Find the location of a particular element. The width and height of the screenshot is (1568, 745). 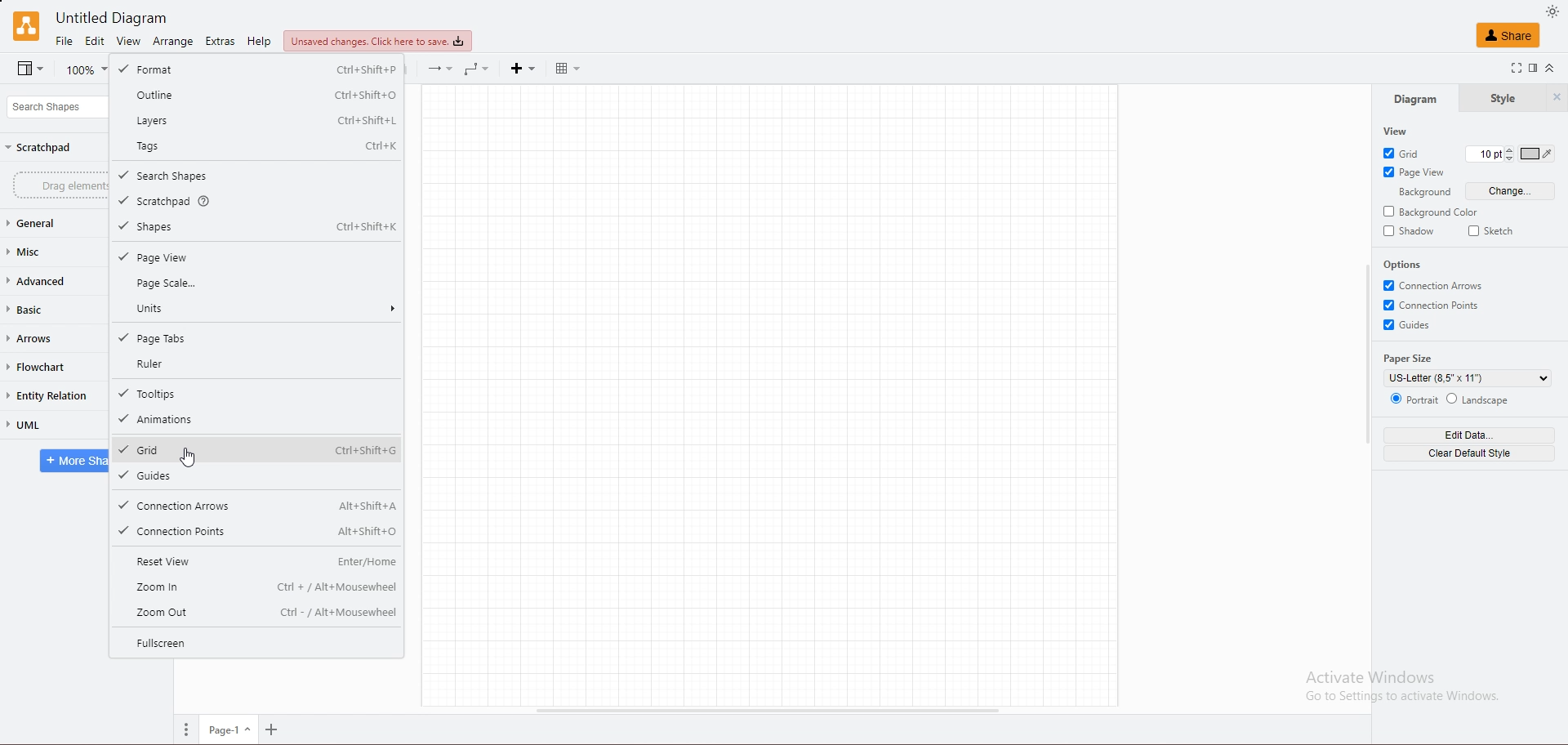

edit is located at coordinates (96, 42).